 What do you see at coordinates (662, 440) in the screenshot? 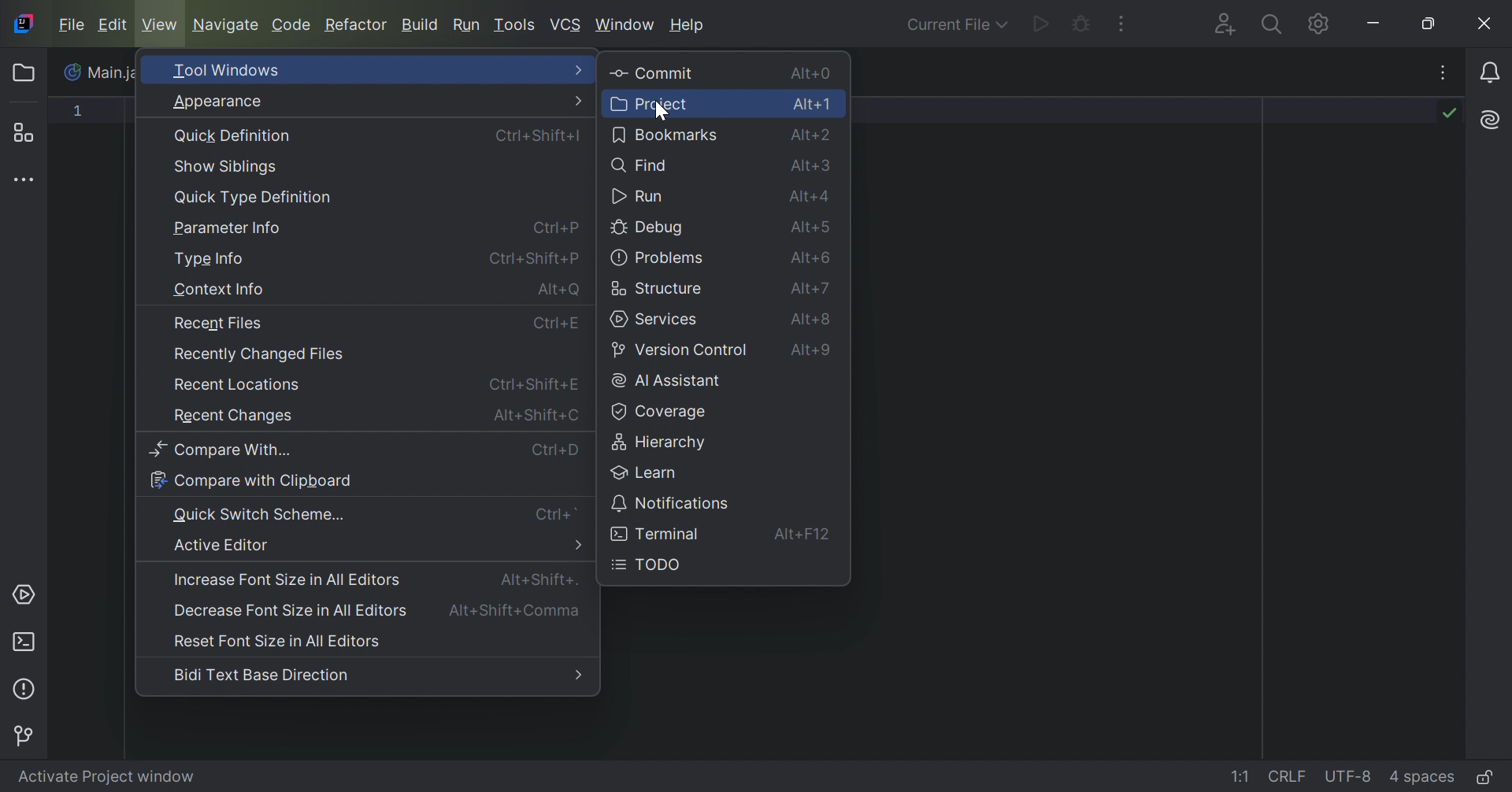
I see `Hierarchy` at bounding box center [662, 440].